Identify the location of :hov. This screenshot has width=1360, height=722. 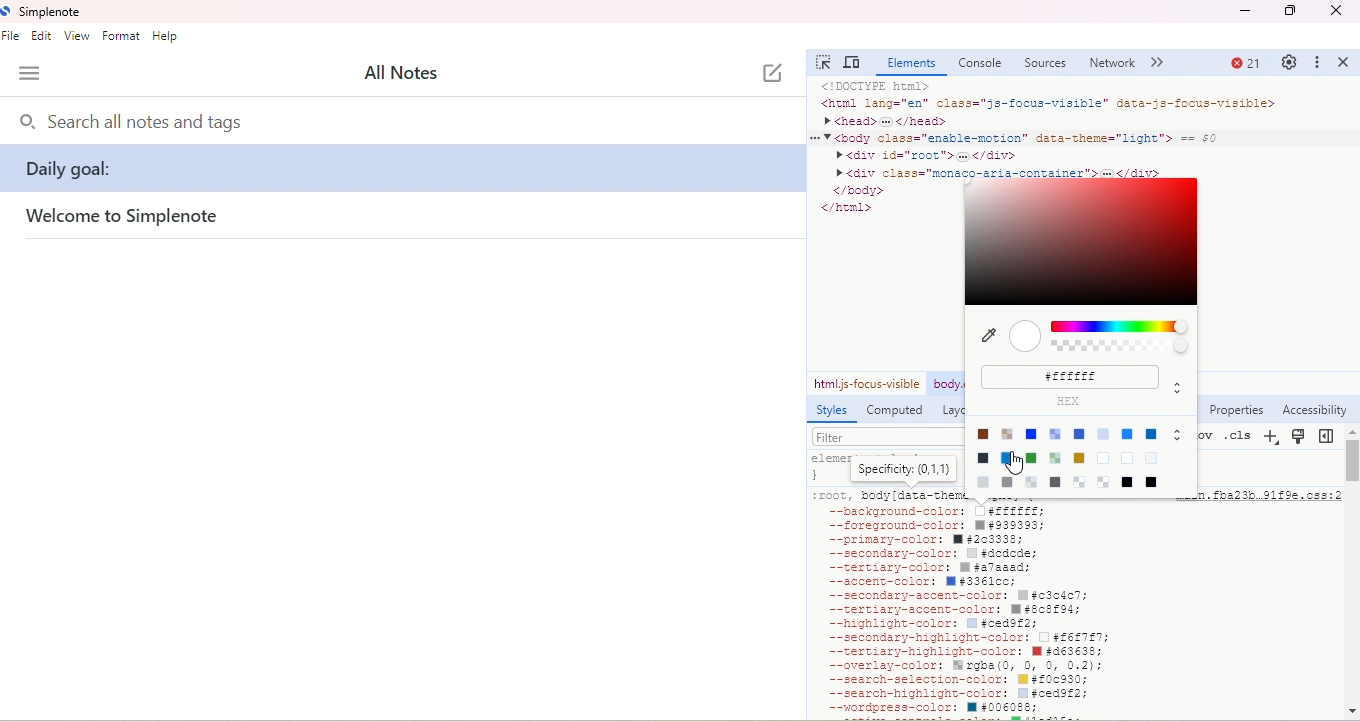
(1200, 434).